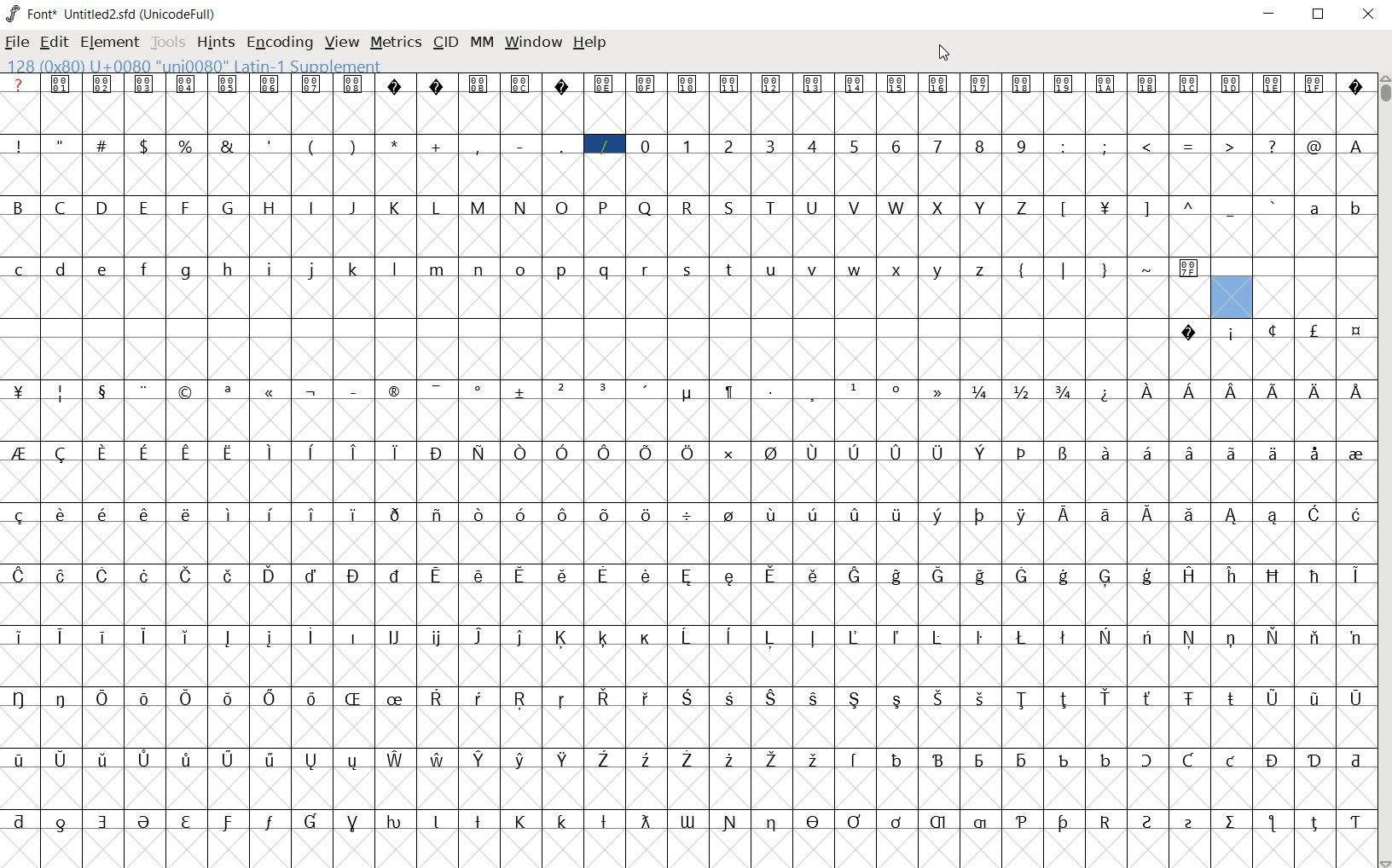  What do you see at coordinates (143, 637) in the screenshot?
I see `glyph` at bounding box center [143, 637].